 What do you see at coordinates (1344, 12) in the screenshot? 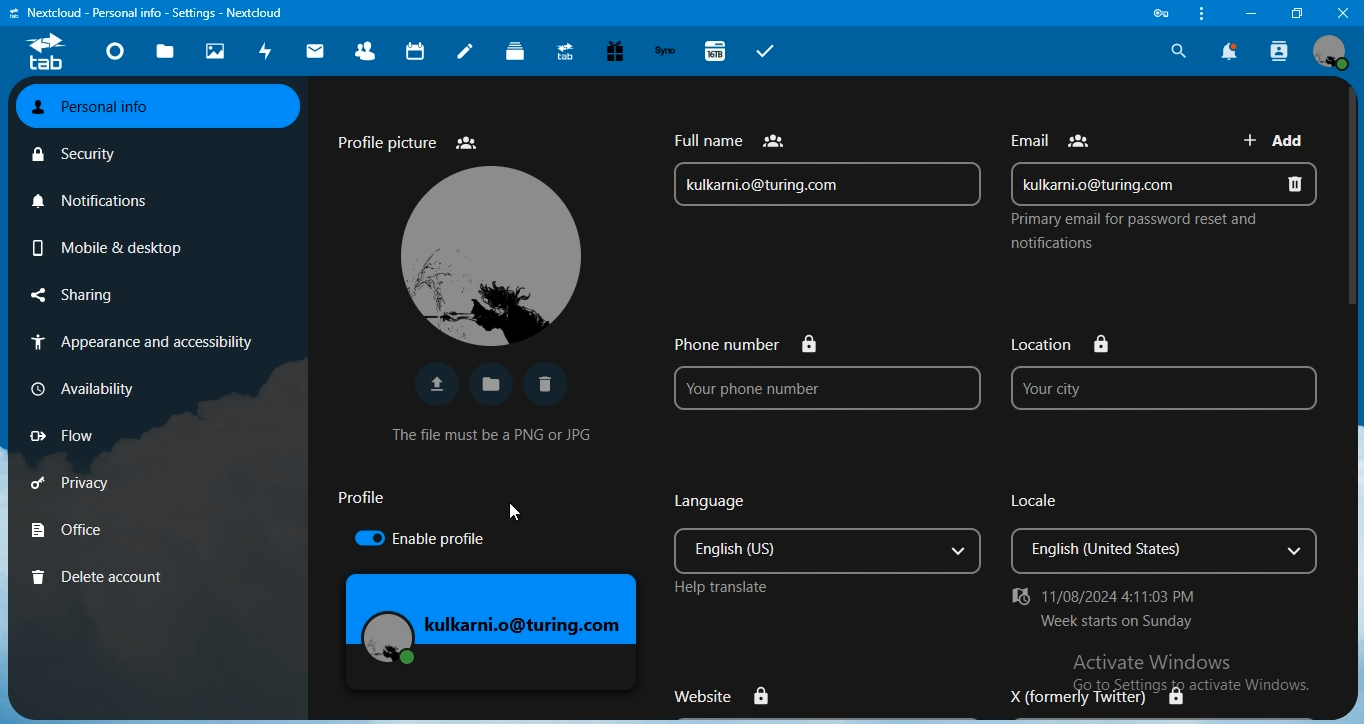
I see `close` at bounding box center [1344, 12].